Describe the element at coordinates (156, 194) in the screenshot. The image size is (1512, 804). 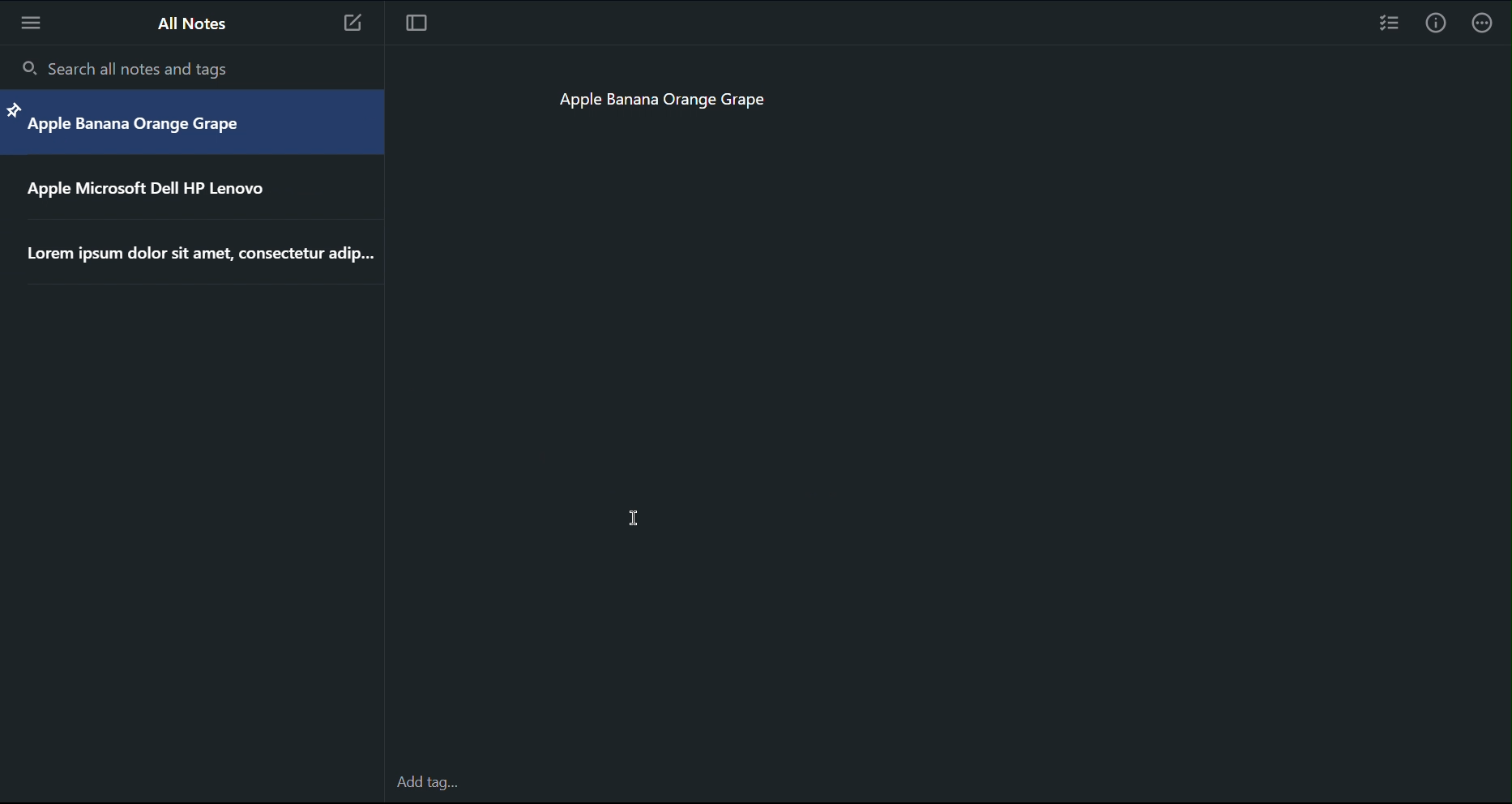
I see `Apple Microsoft Dell HP Lenovo` at that location.